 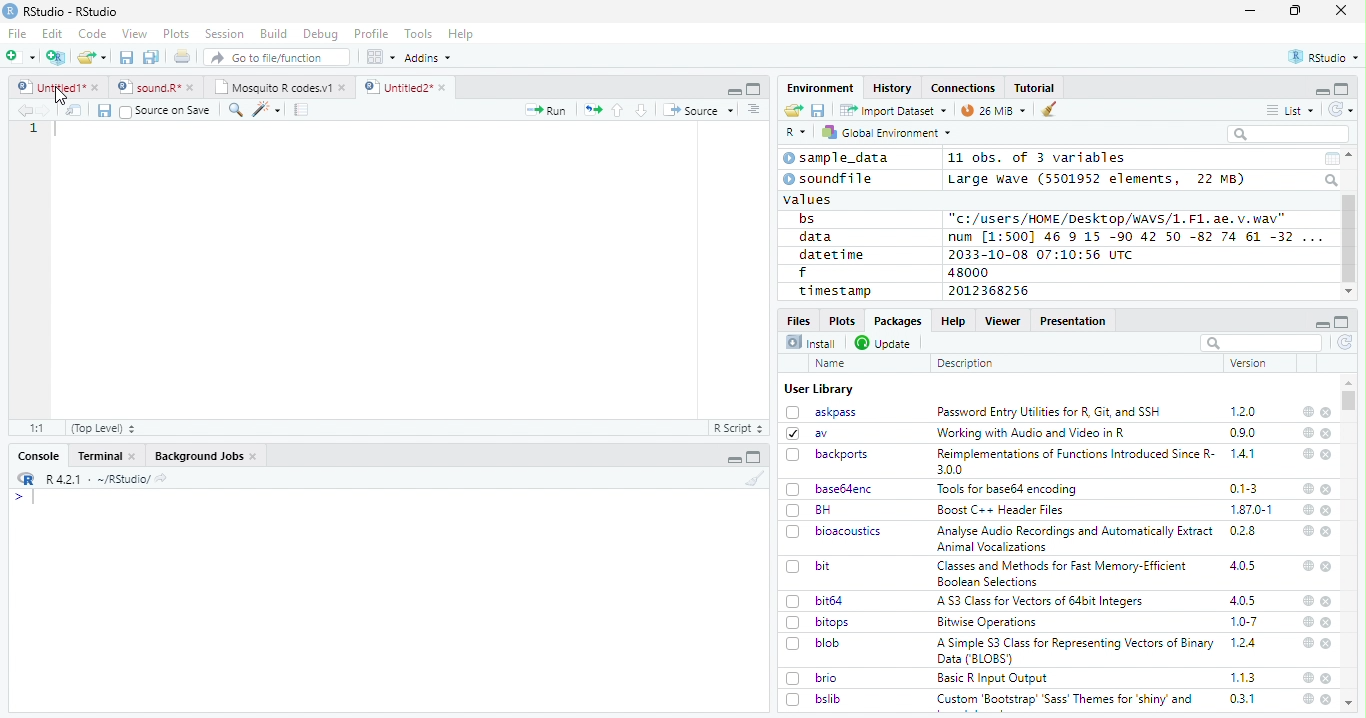 I want to click on sound.R*, so click(x=156, y=88).